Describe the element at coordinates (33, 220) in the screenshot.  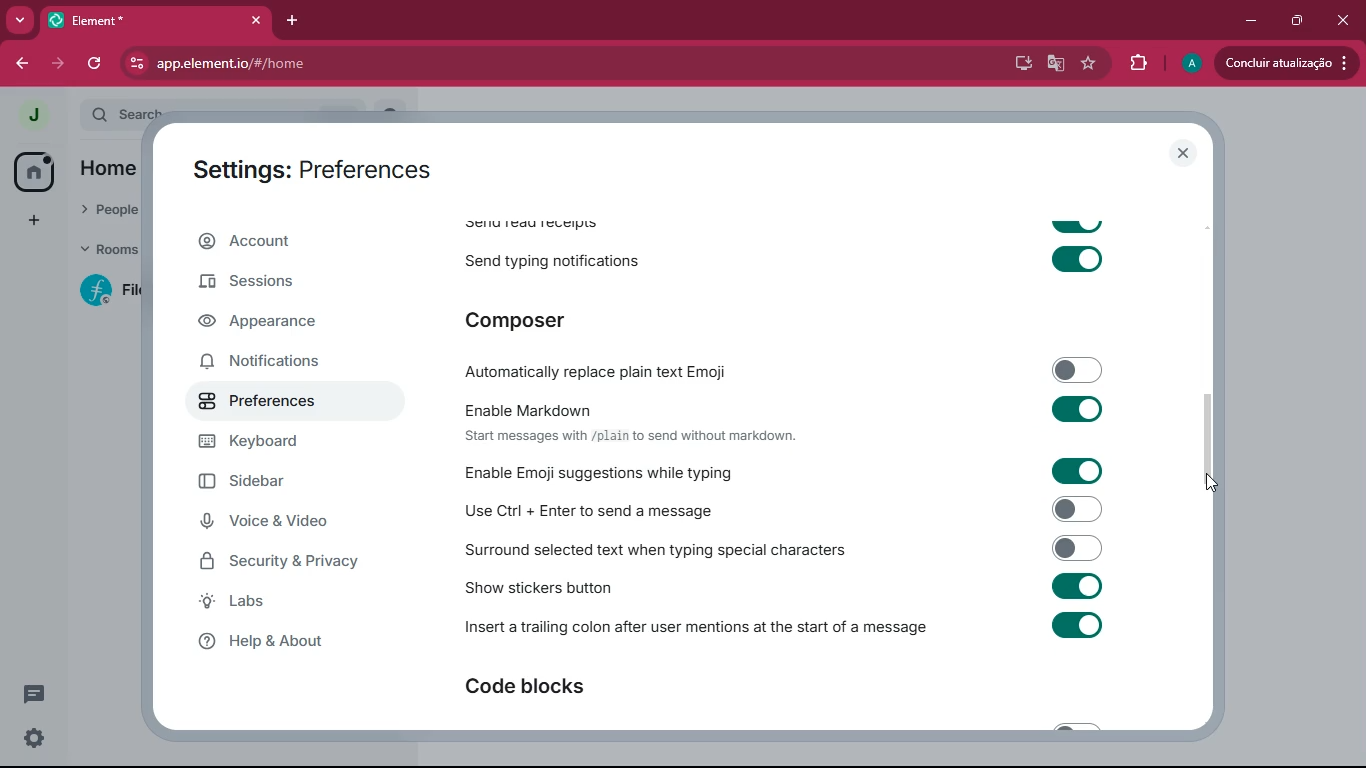
I see `add` at that location.